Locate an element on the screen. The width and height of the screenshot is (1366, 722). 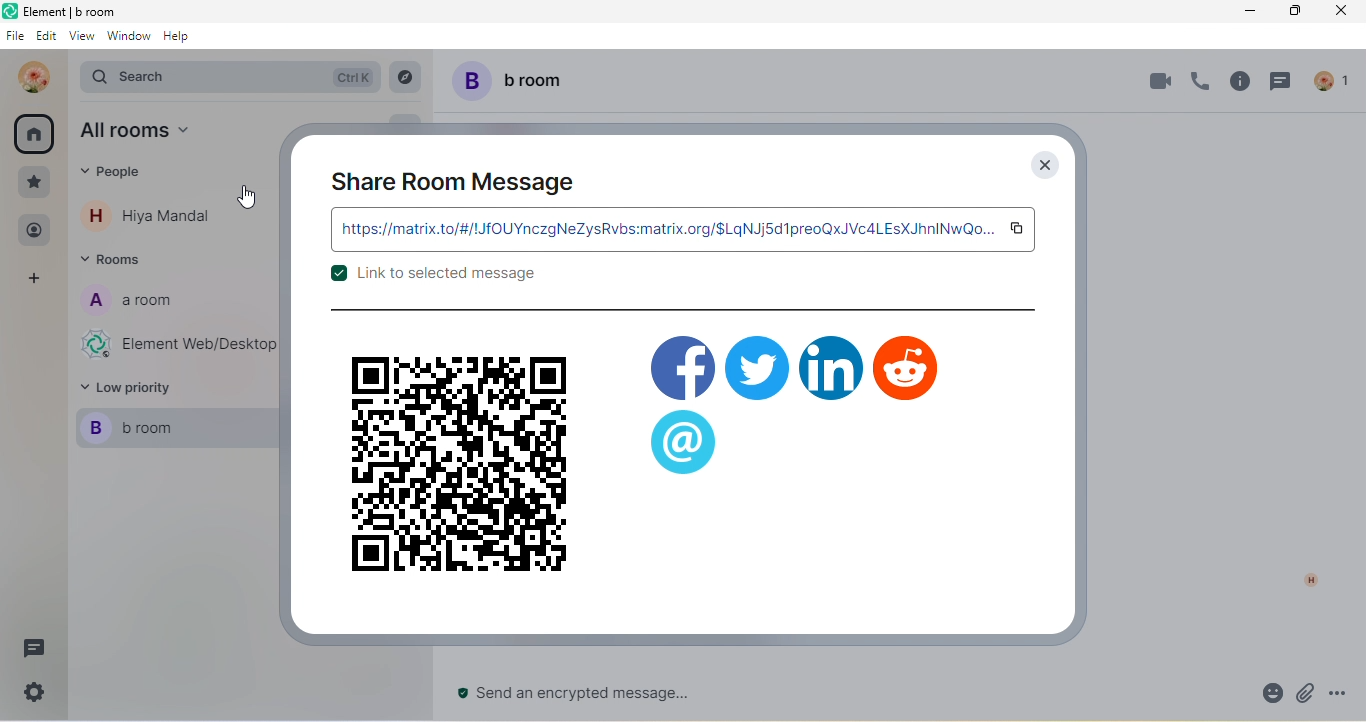
help is located at coordinates (183, 42).